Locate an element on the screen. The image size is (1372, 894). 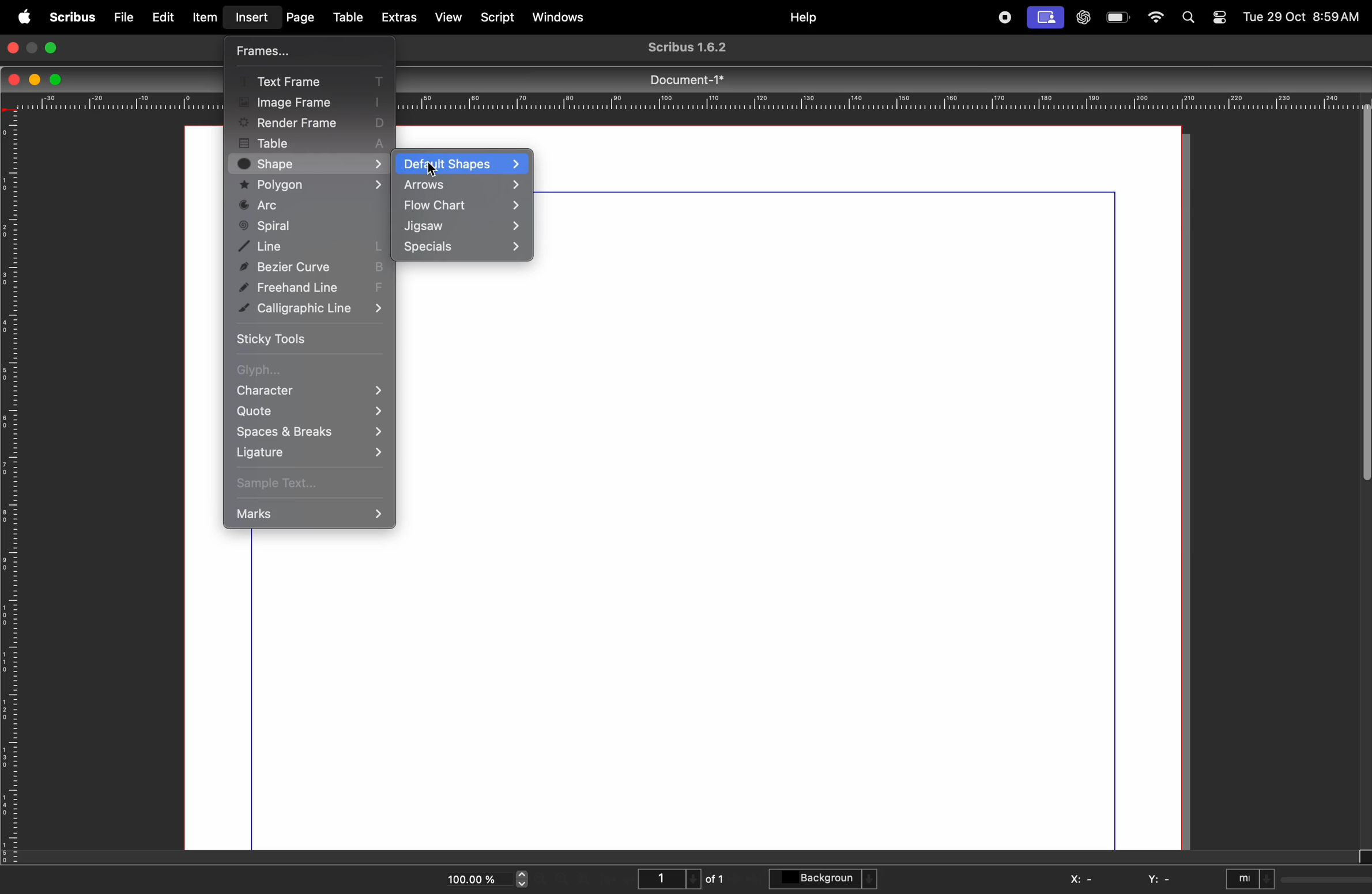
jigsaw is located at coordinates (462, 228).